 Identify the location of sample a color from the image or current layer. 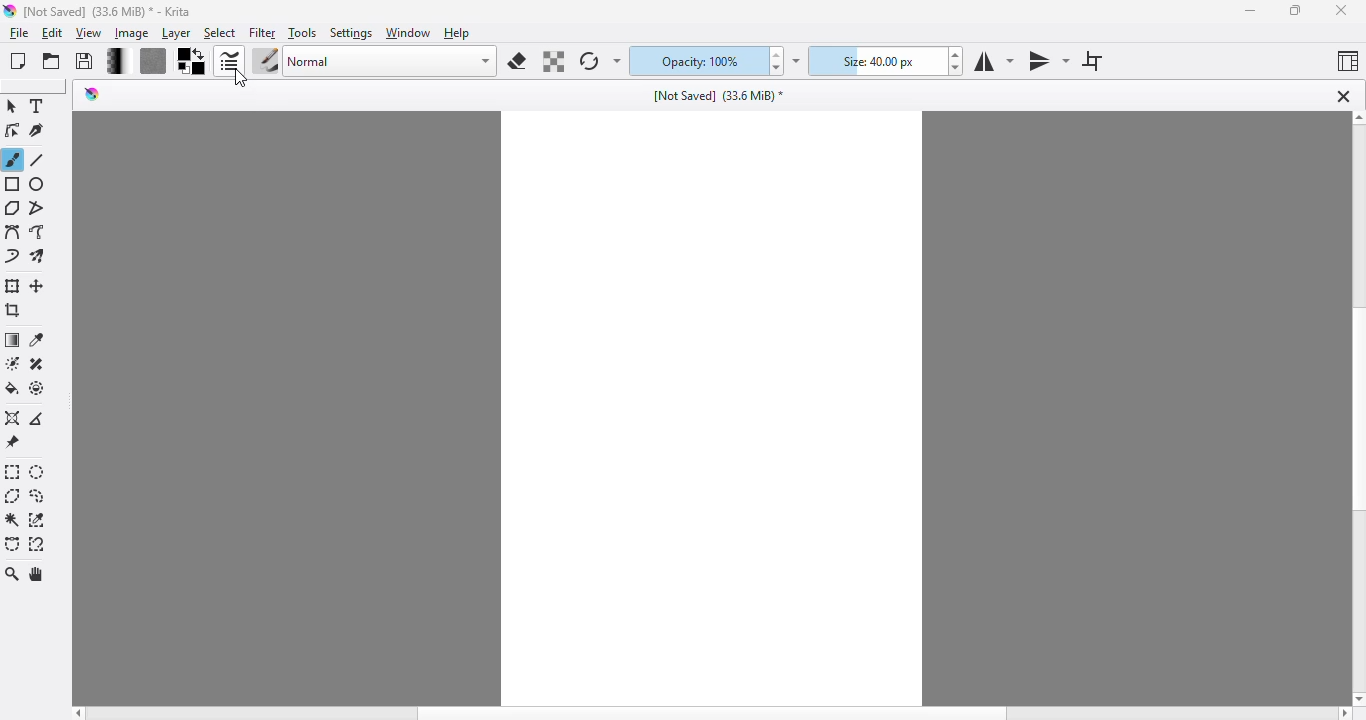
(37, 339).